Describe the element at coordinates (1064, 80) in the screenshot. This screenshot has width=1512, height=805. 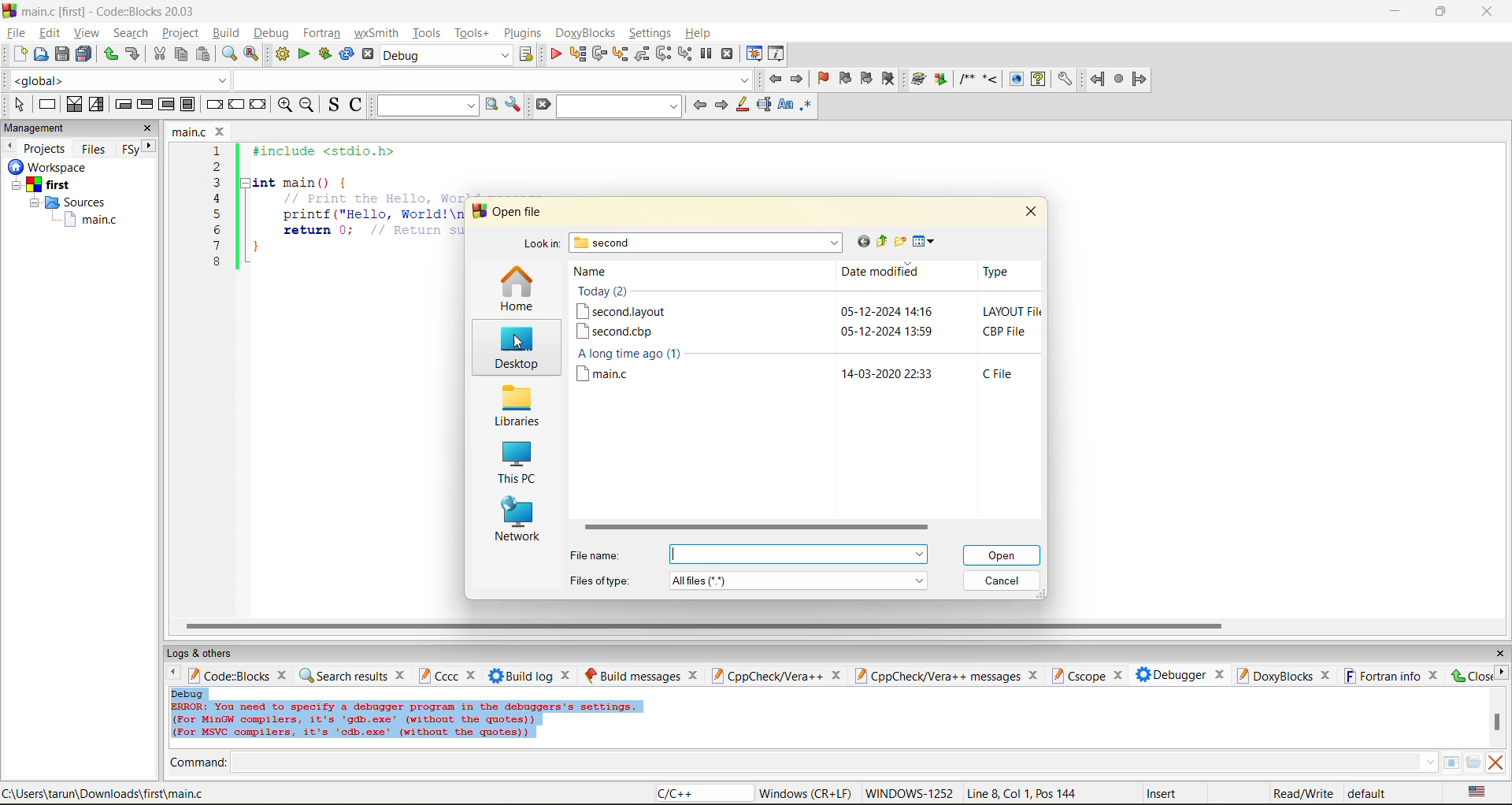
I see `settings` at that location.